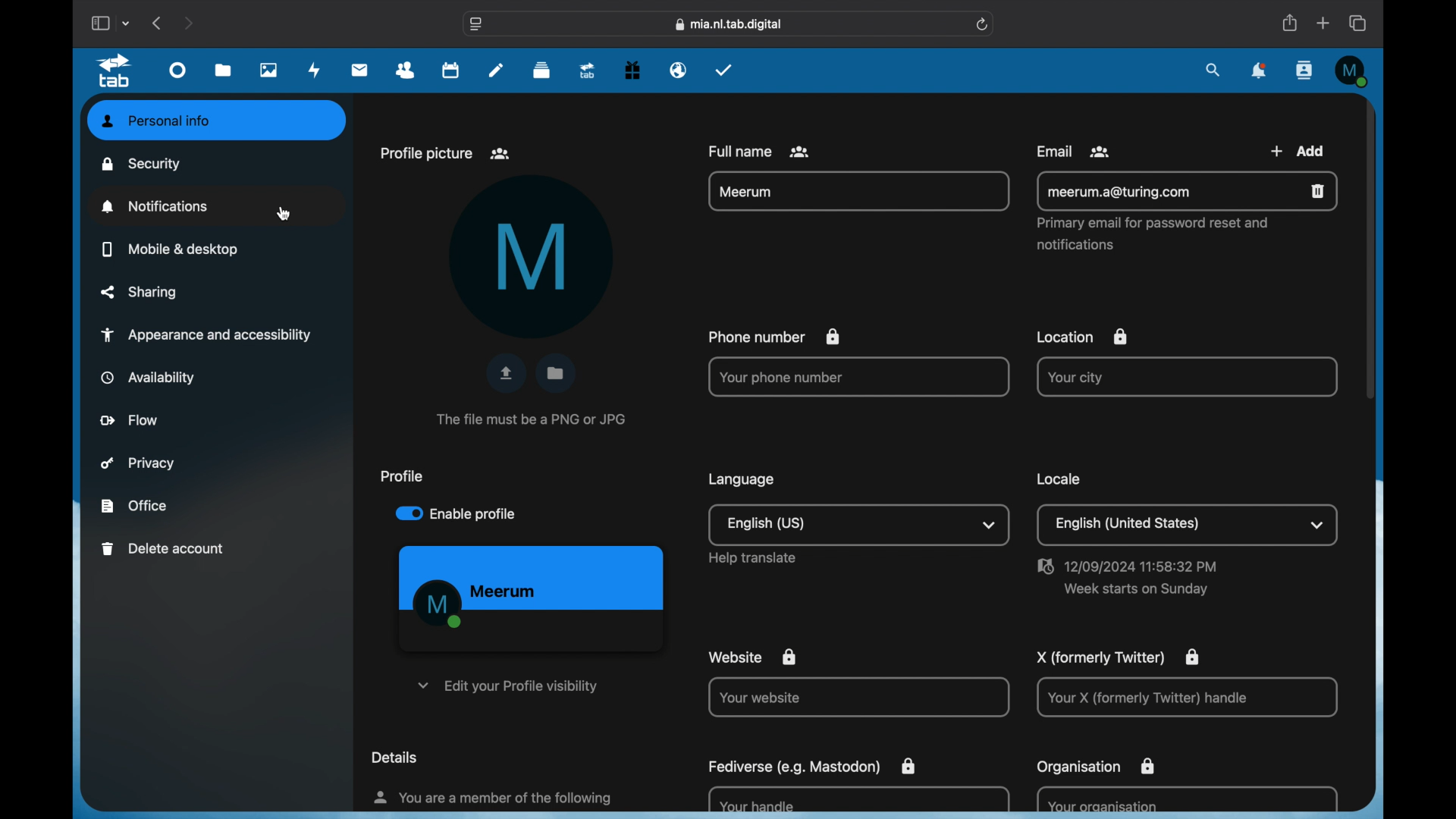 The image size is (1456, 819). Describe the element at coordinates (767, 524) in the screenshot. I see `english` at that location.